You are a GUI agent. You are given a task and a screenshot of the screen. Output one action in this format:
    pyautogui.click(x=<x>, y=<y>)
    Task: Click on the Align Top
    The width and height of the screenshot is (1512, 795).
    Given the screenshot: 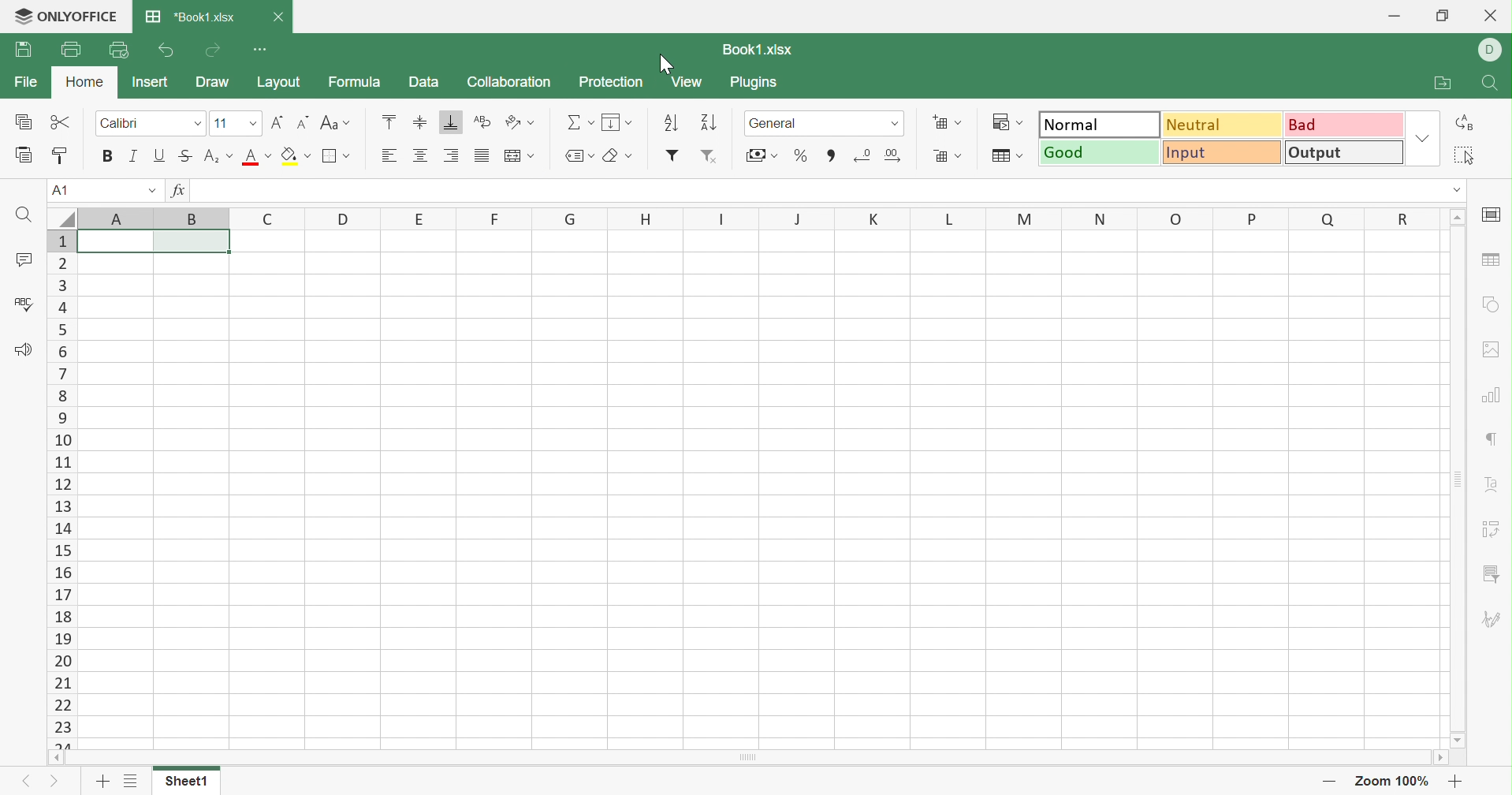 What is the action you would take?
    pyautogui.click(x=385, y=121)
    